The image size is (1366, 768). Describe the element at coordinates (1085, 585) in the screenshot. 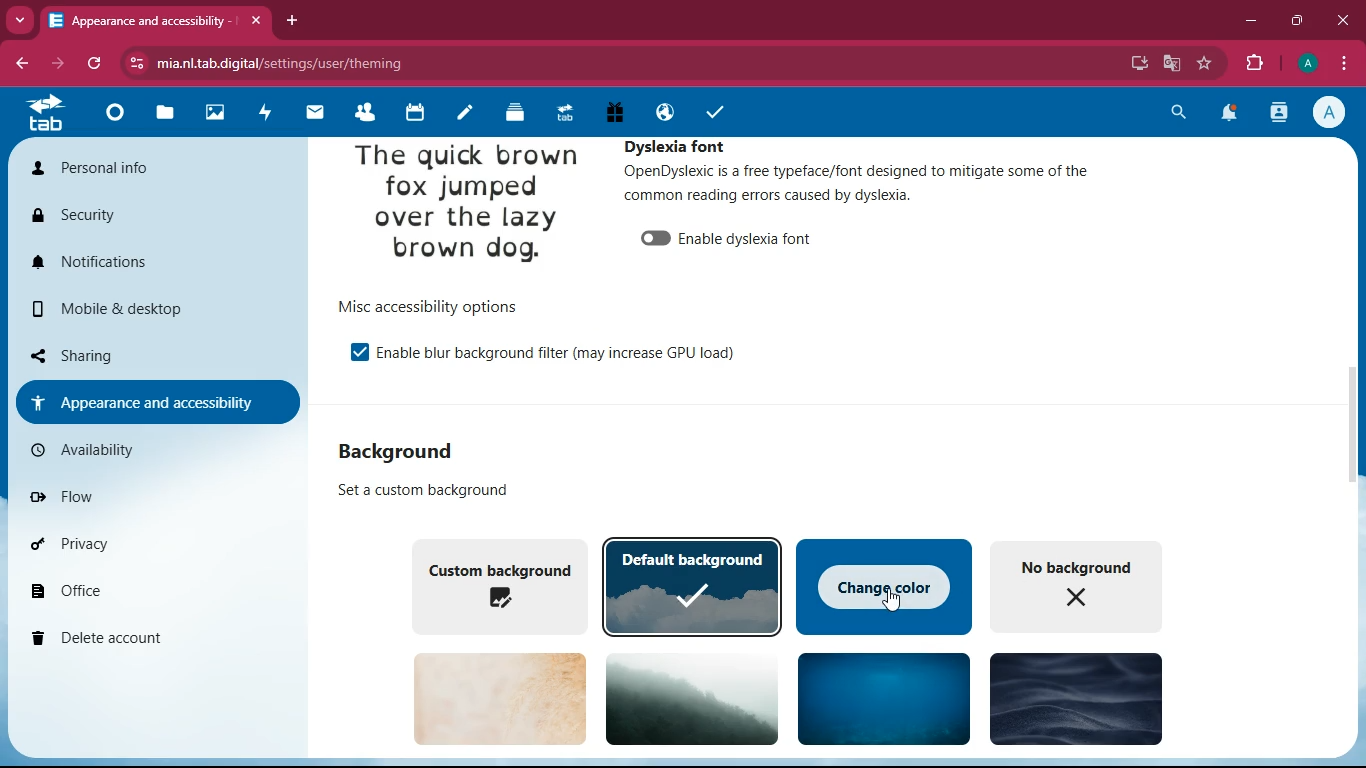

I see `no background` at that location.